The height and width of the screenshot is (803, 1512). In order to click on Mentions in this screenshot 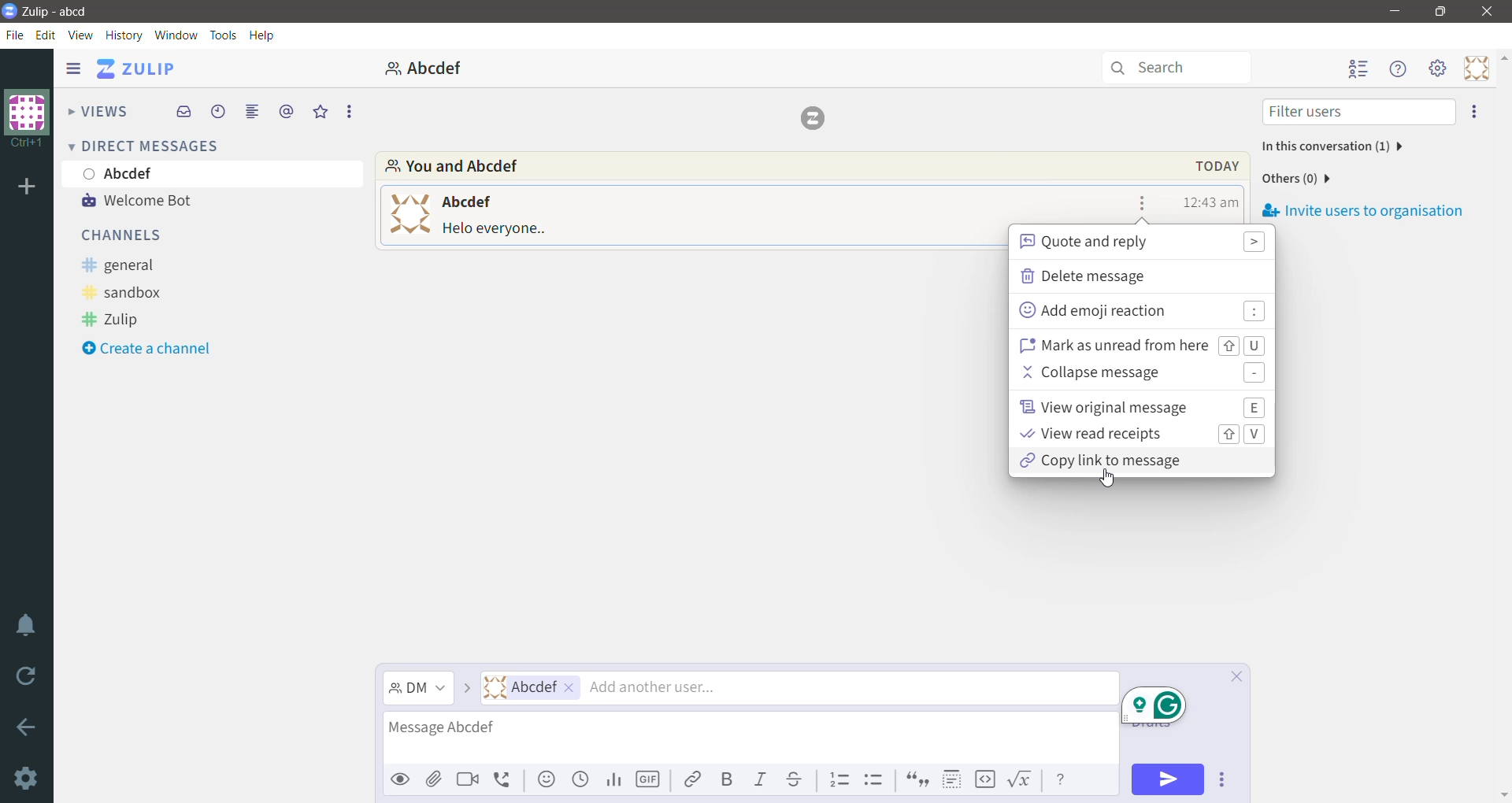, I will do `click(286, 111)`.